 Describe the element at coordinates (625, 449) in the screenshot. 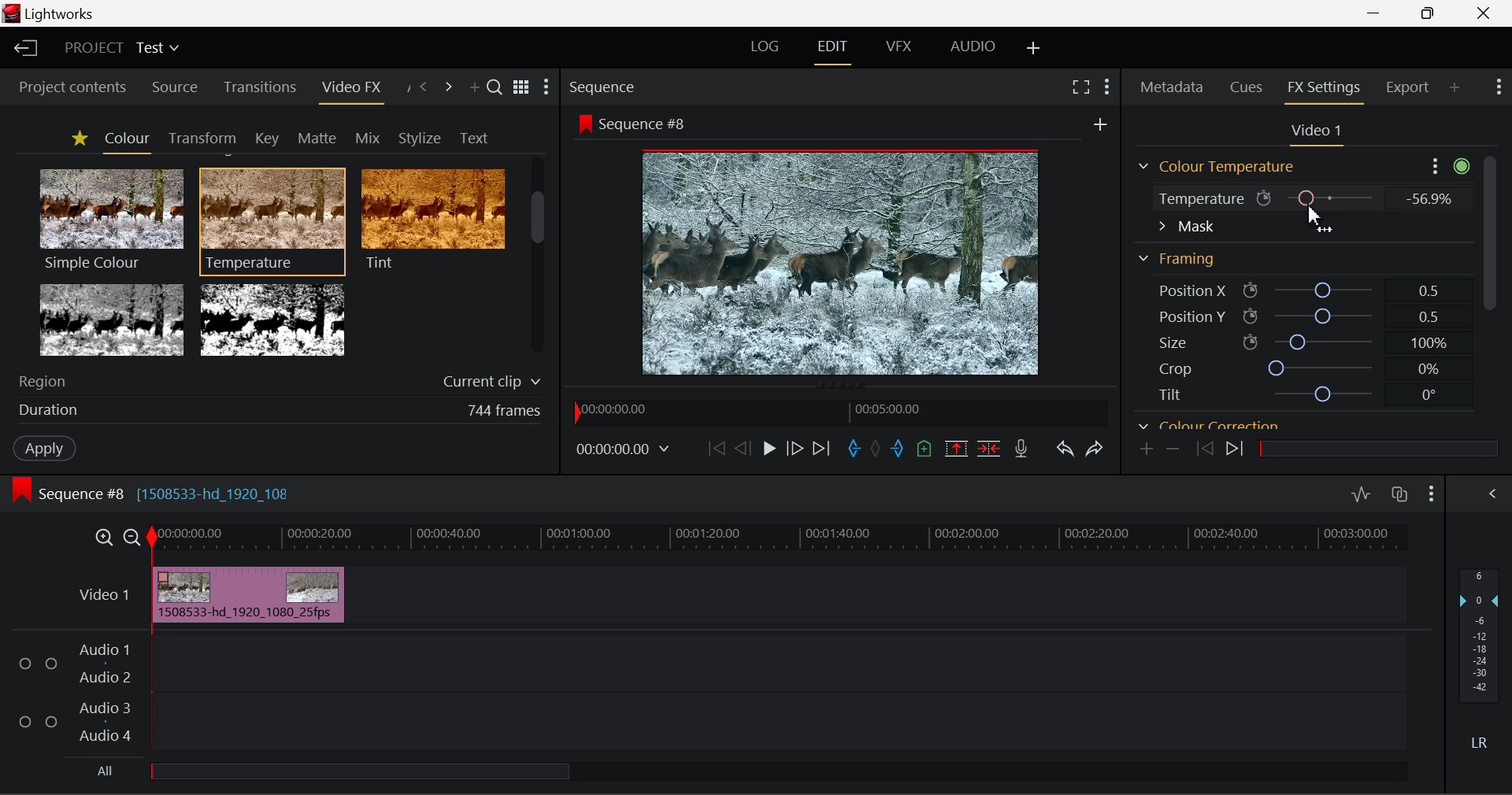

I see `00:00:00.00` at that location.